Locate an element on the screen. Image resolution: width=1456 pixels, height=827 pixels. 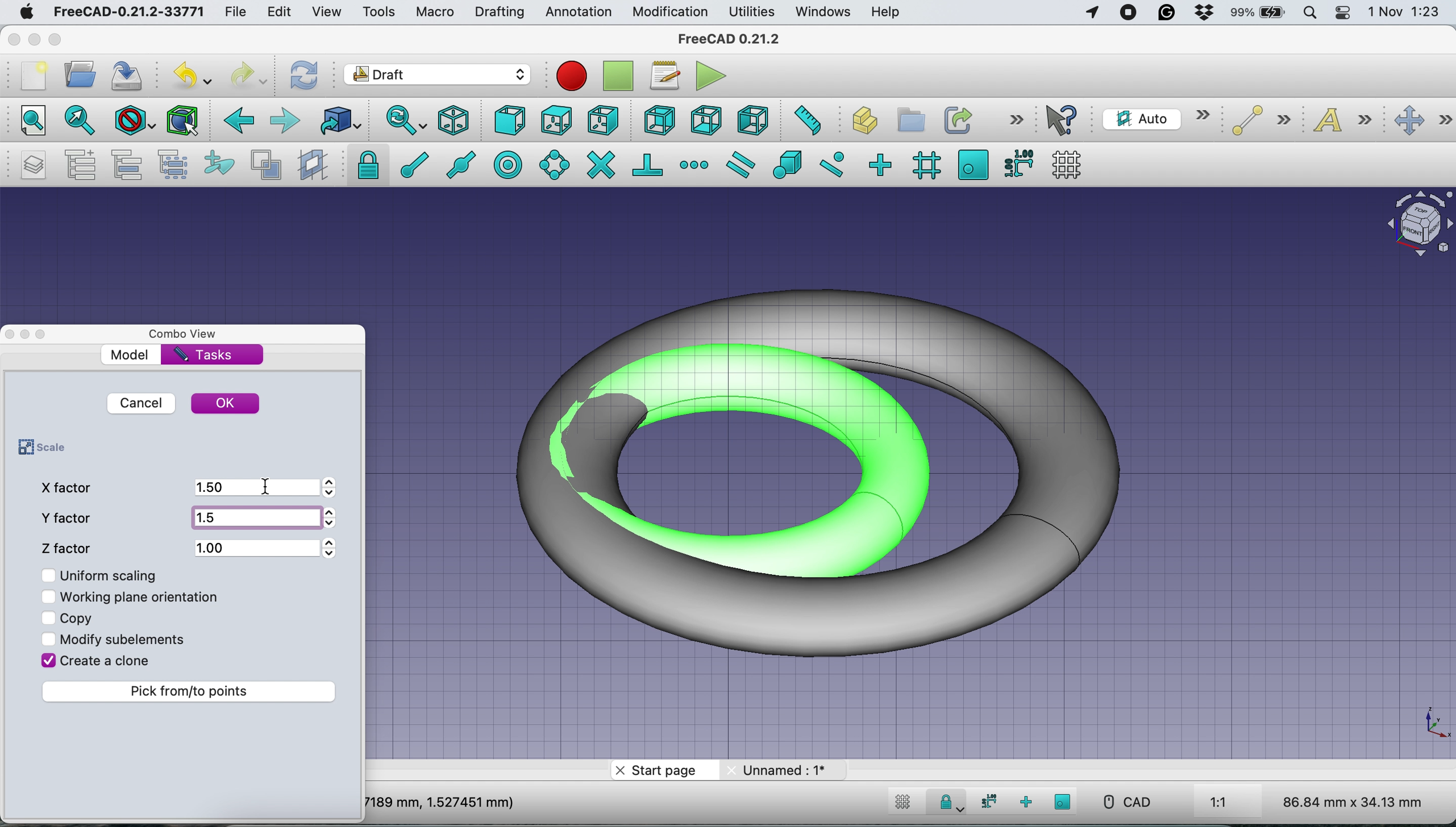
windows is located at coordinates (826, 12).